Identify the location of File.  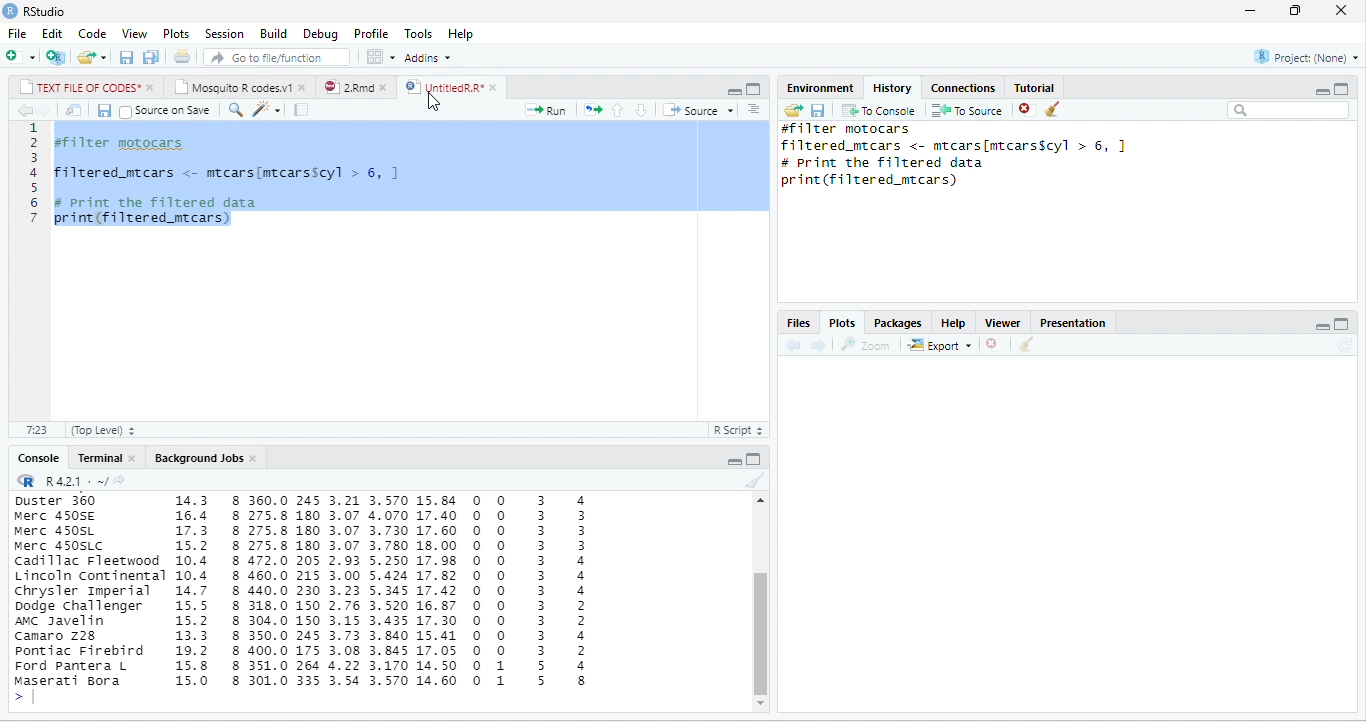
(17, 33).